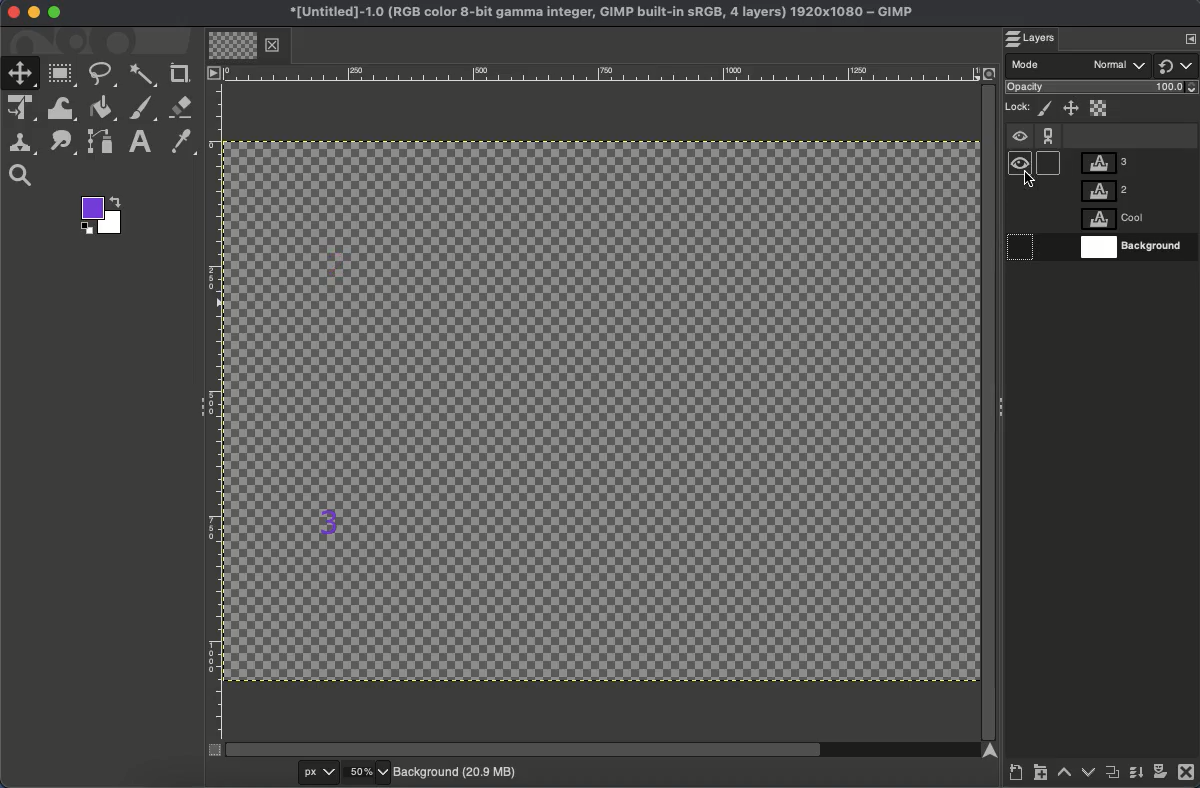 The image size is (1200, 788). Describe the element at coordinates (214, 412) in the screenshot. I see `Ruler` at that location.